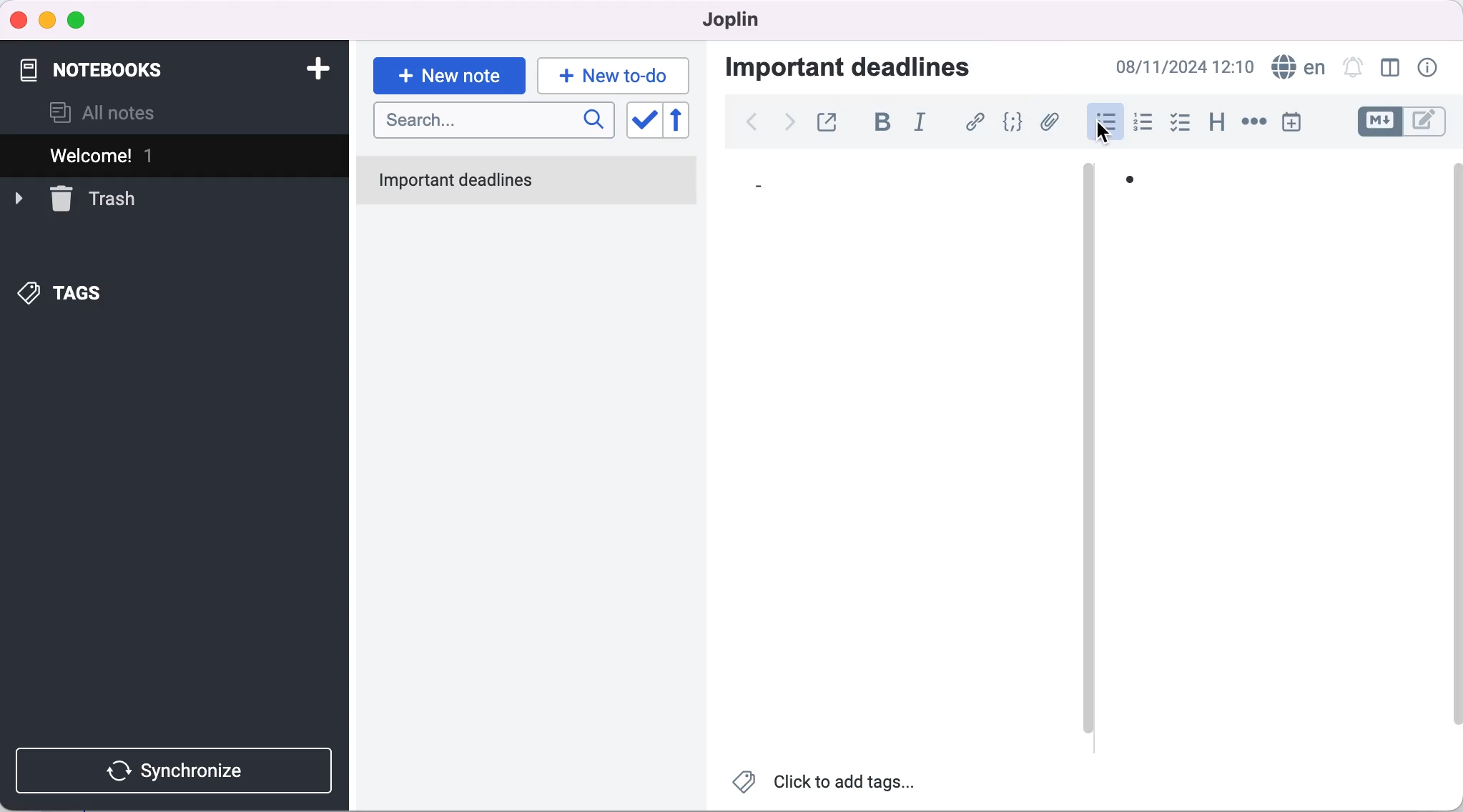  What do you see at coordinates (493, 122) in the screenshot?
I see `search` at bounding box center [493, 122].